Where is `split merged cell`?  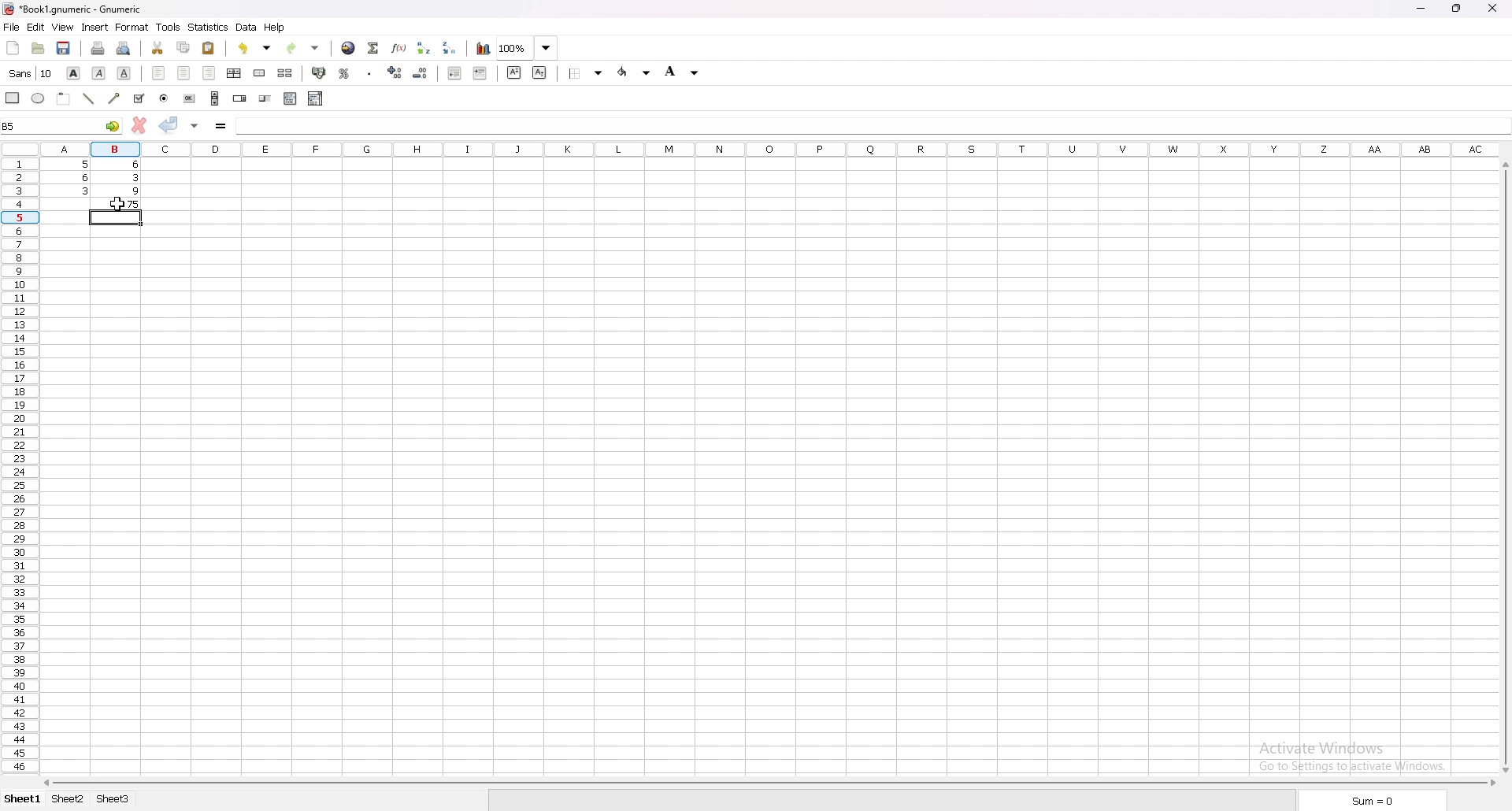 split merged cell is located at coordinates (284, 73).